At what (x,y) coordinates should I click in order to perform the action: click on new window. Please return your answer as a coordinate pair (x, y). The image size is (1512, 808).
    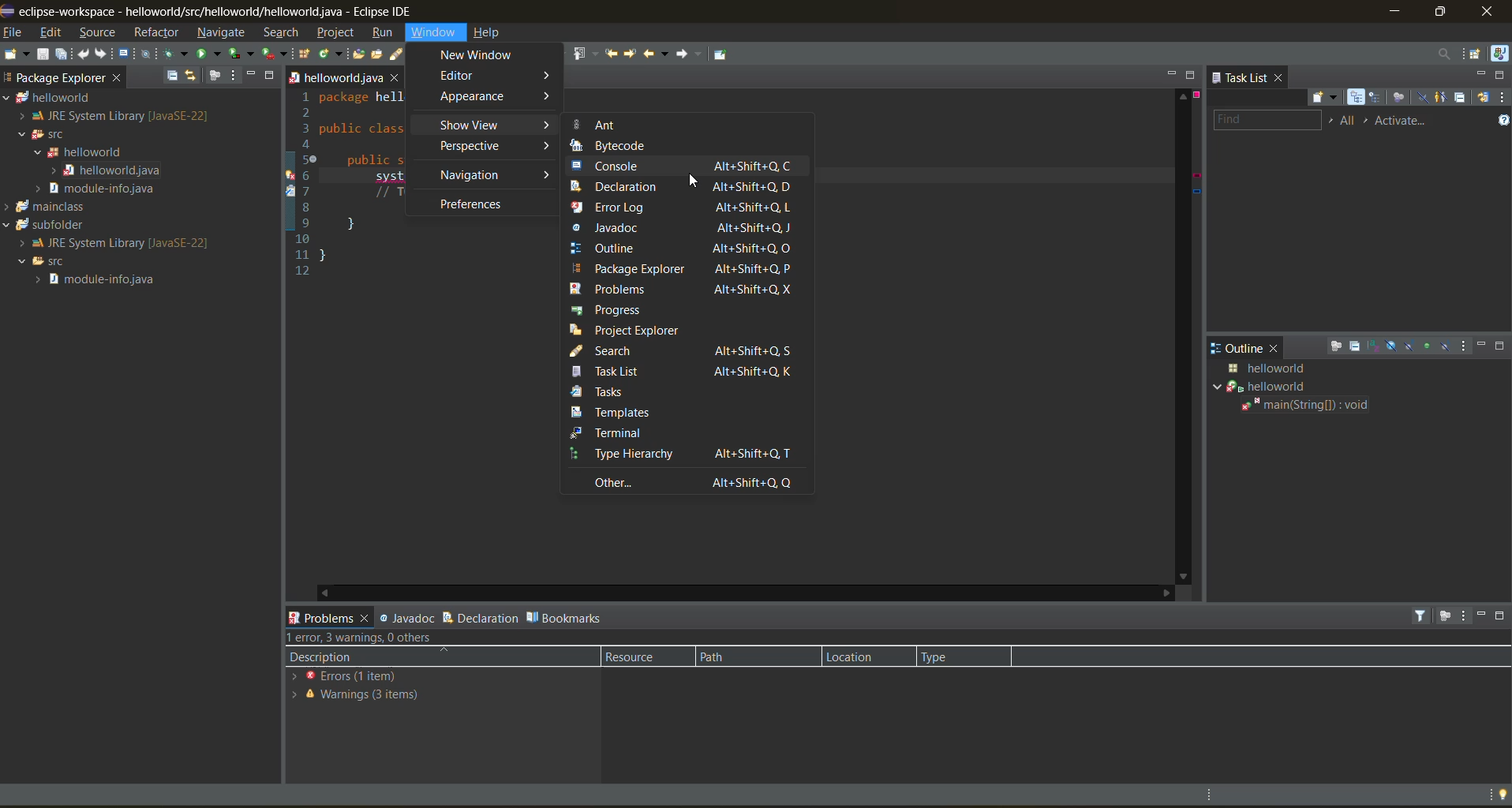
    Looking at the image, I should click on (481, 56).